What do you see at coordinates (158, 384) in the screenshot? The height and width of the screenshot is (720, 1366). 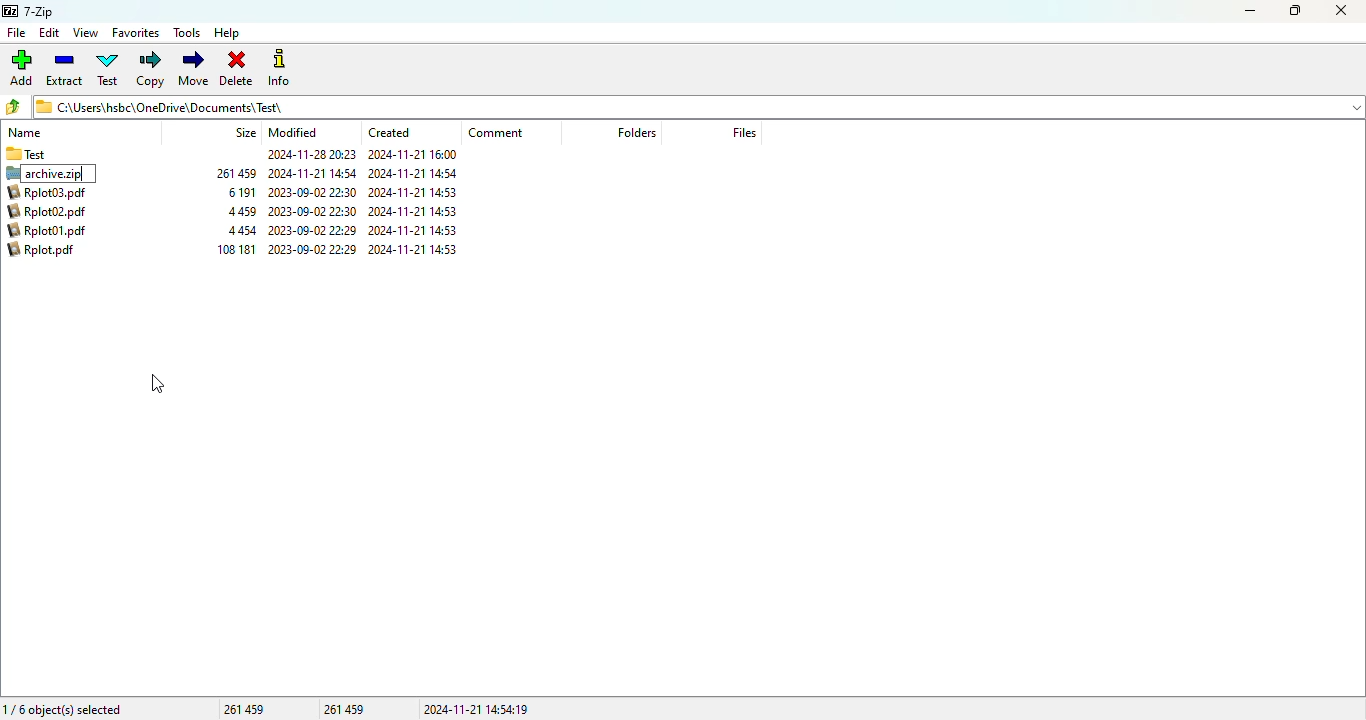 I see `cursor` at bounding box center [158, 384].